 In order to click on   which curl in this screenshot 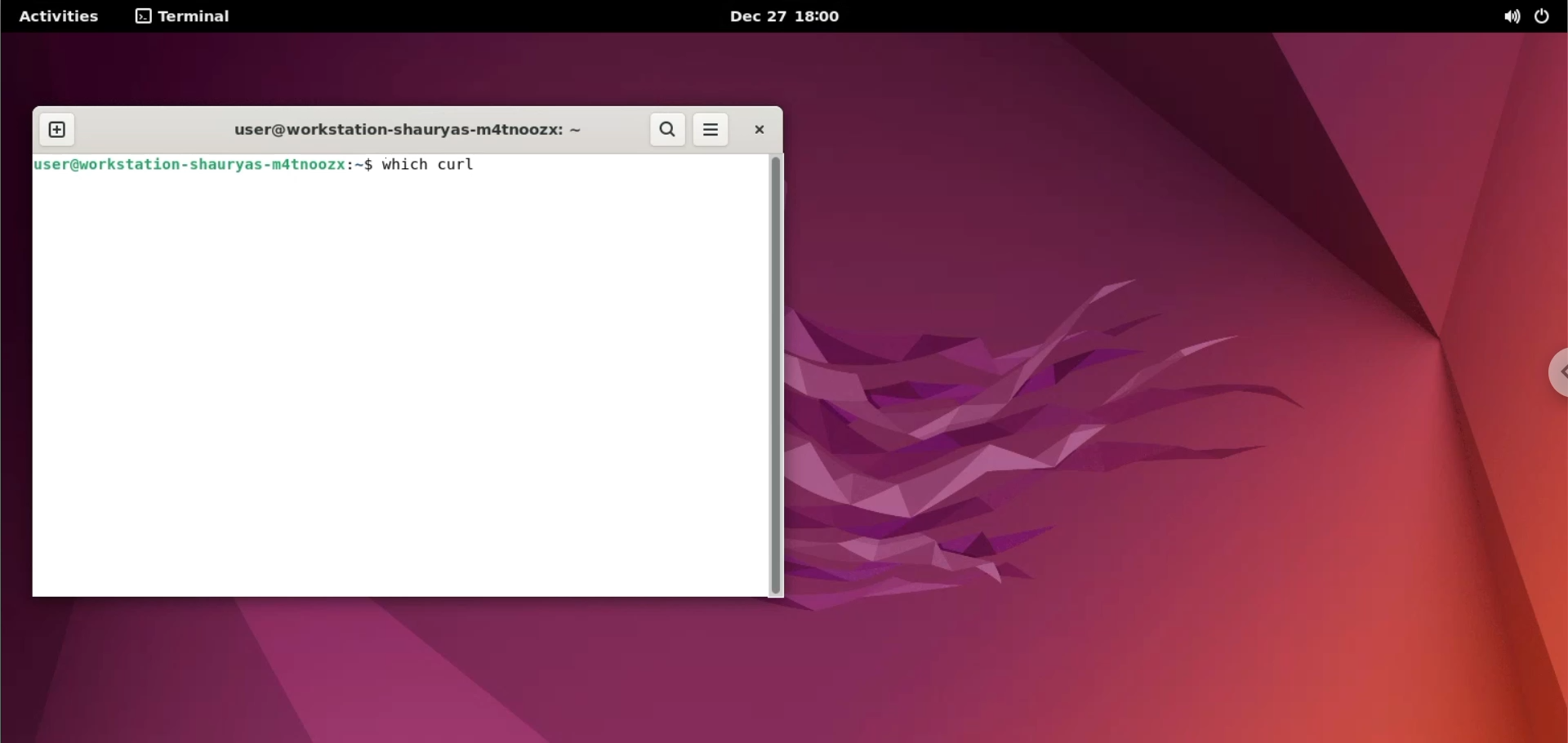, I will do `click(433, 164)`.